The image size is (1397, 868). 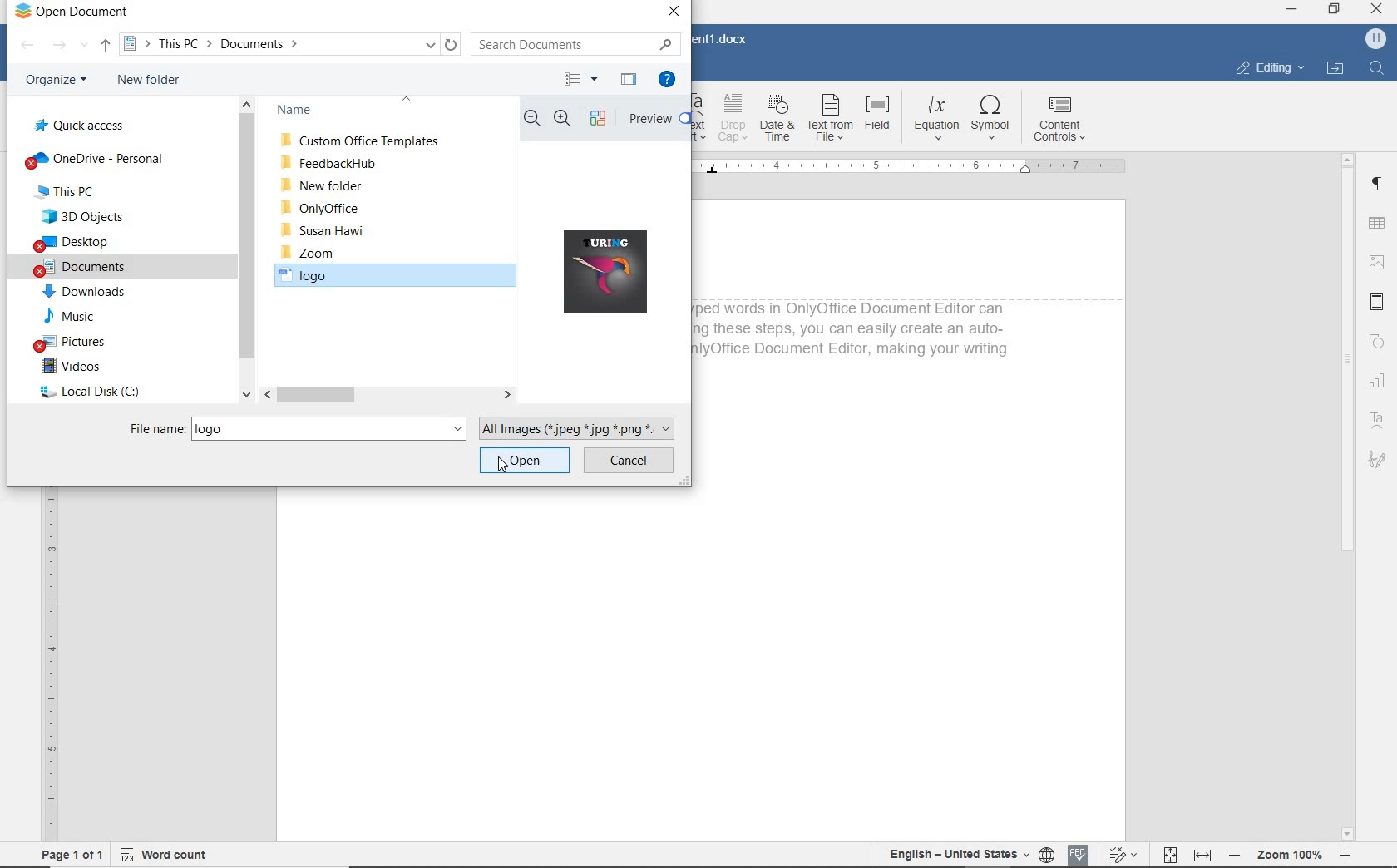 What do you see at coordinates (829, 121) in the screenshot?
I see `TEXT FROM FILE` at bounding box center [829, 121].